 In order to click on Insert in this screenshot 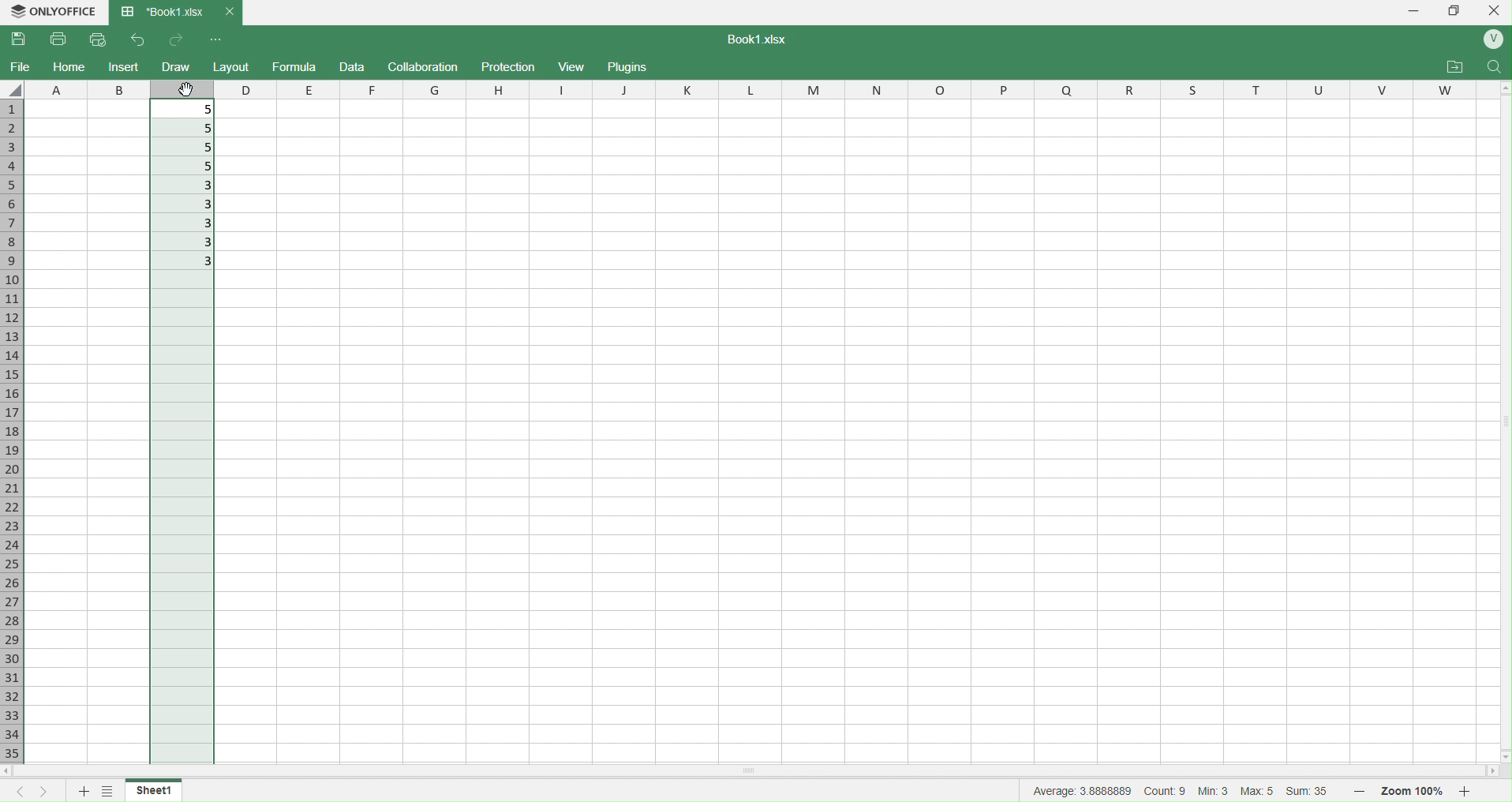, I will do `click(125, 66)`.